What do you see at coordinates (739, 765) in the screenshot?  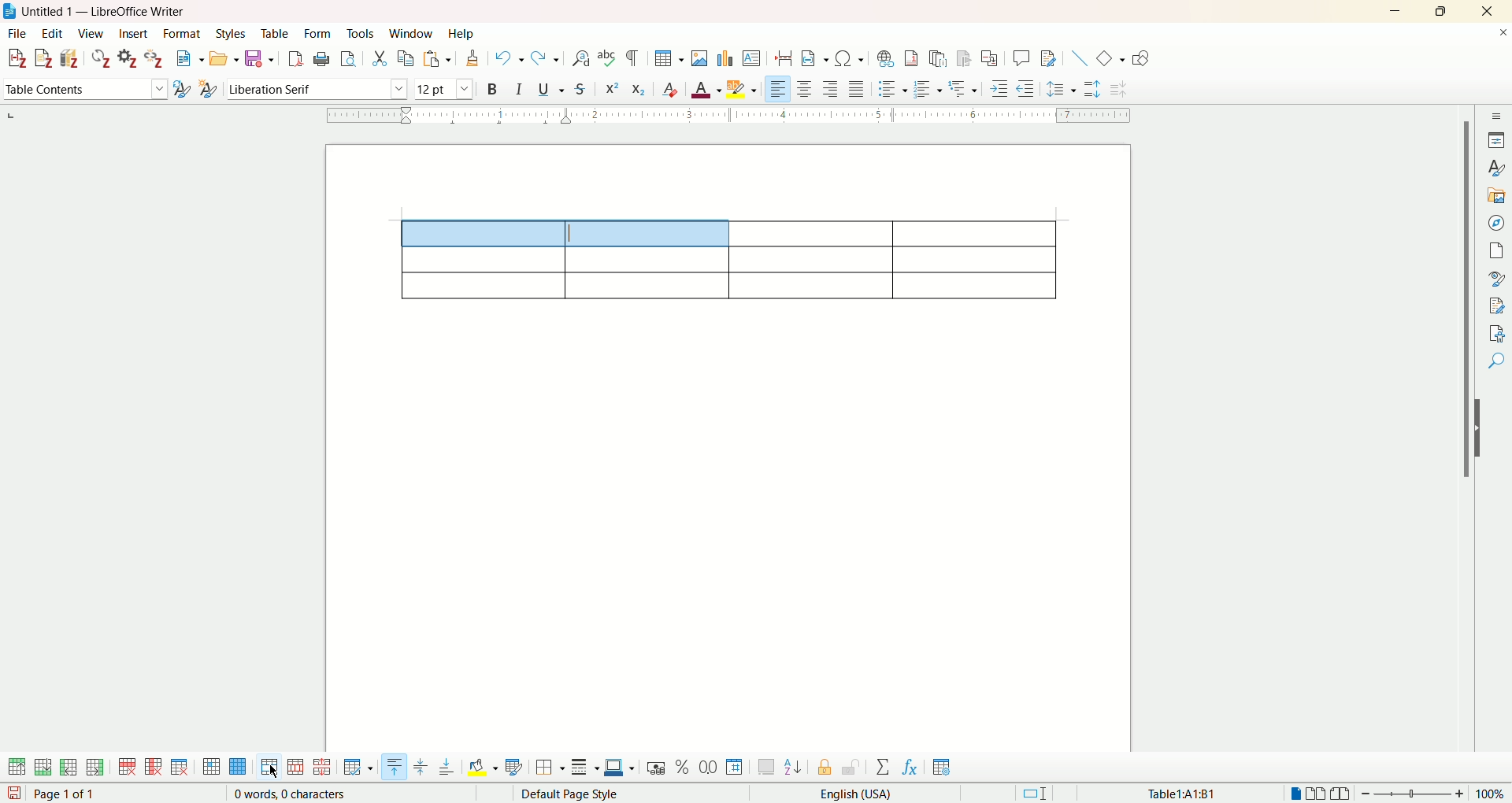 I see `format as number` at bounding box center [739, 765].